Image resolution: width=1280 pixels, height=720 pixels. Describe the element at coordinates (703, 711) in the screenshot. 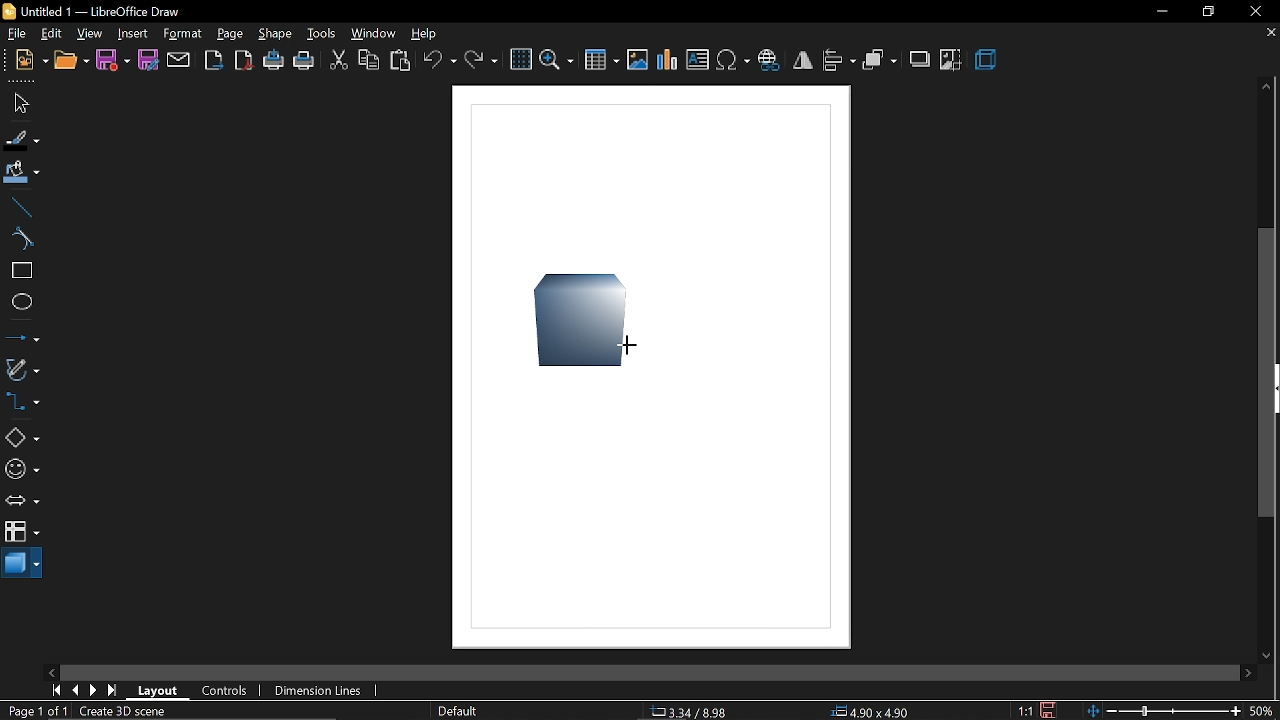

I see `co-ordinates` at that location.